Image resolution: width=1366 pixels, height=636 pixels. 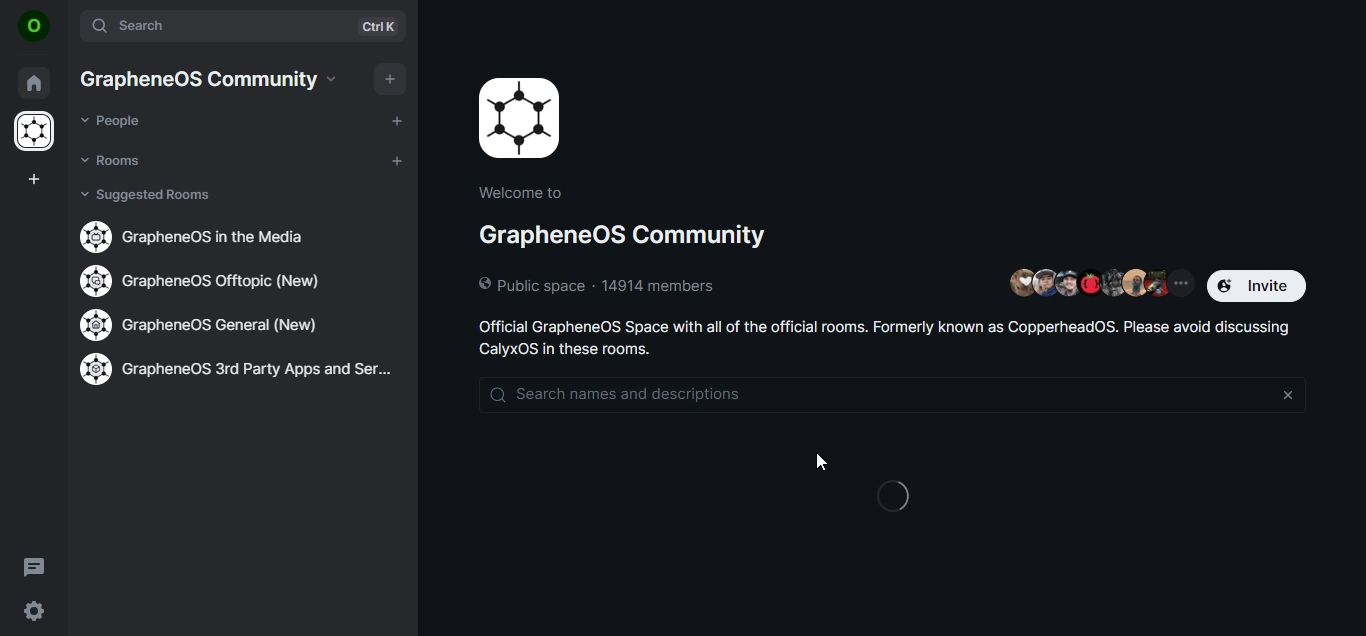 I want to click on add, so click(x=388, y=79).